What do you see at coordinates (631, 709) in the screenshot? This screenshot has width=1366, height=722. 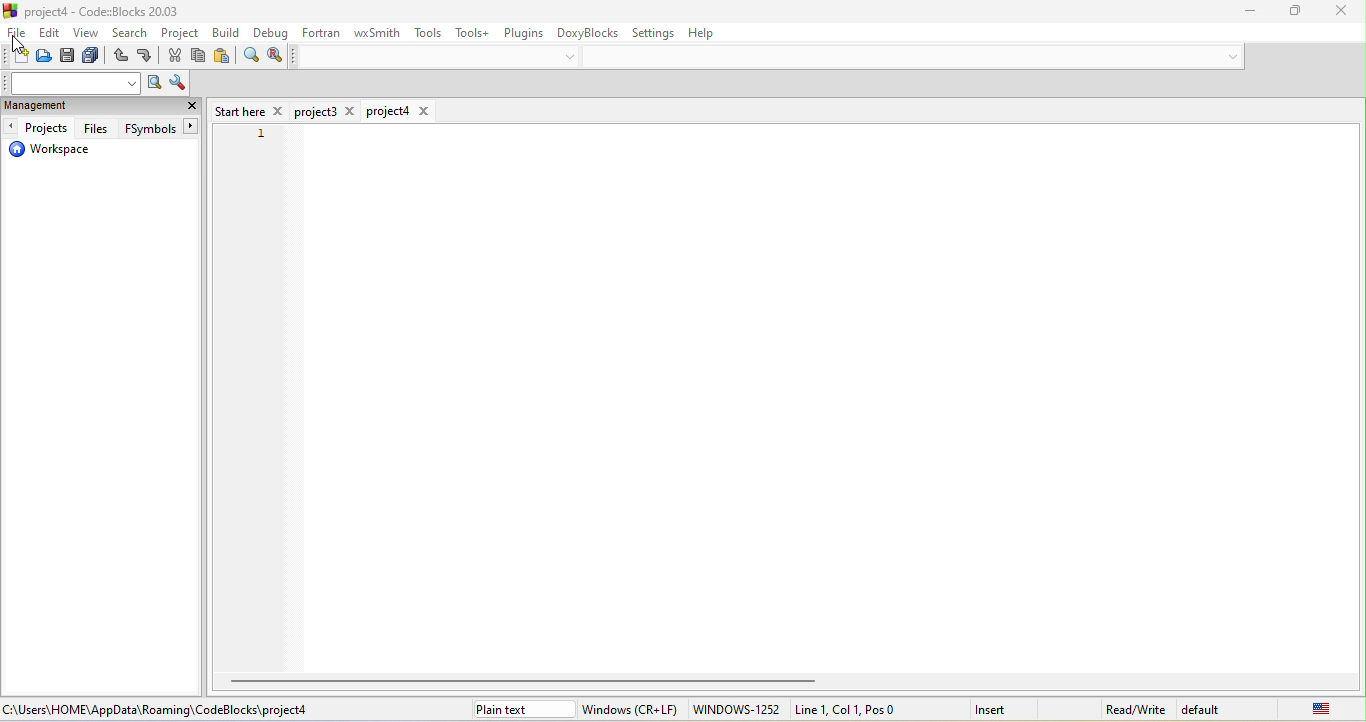 I see `window` at bounding box center [631, 709].